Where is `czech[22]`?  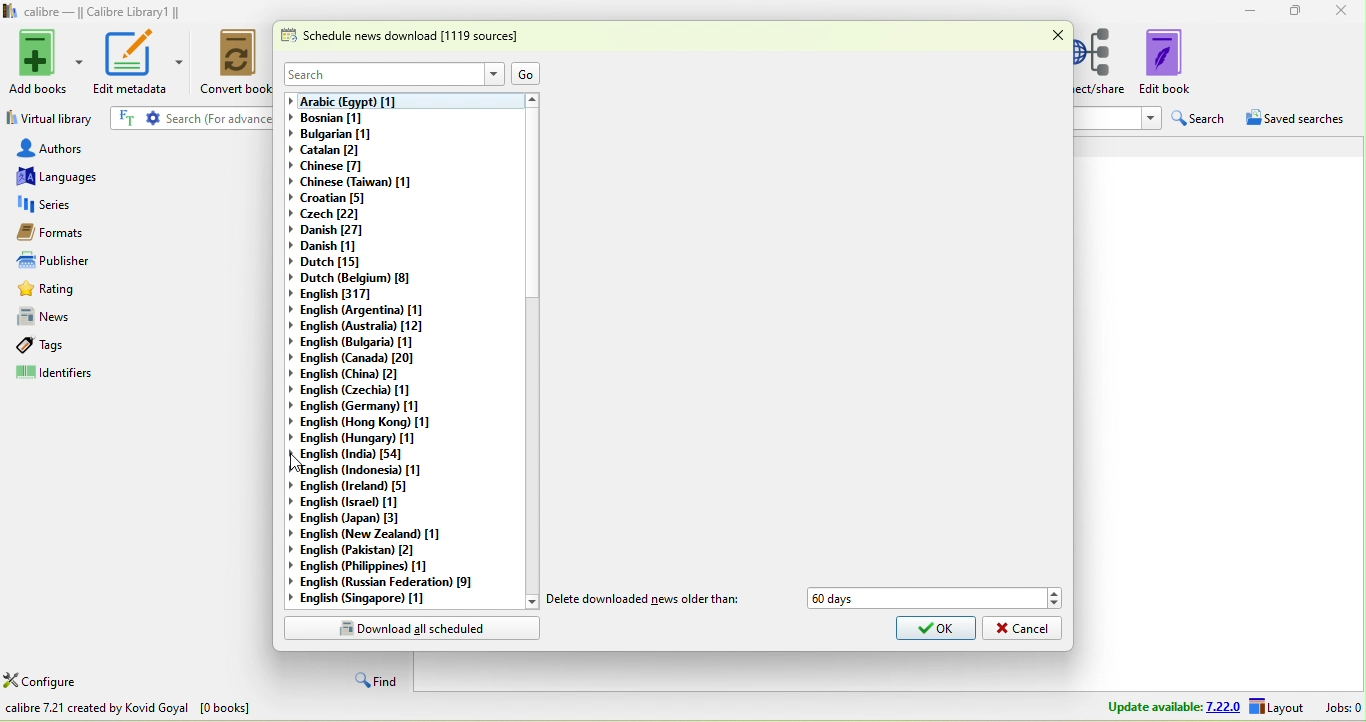
czech[22] is located at coordinates (332, 213).